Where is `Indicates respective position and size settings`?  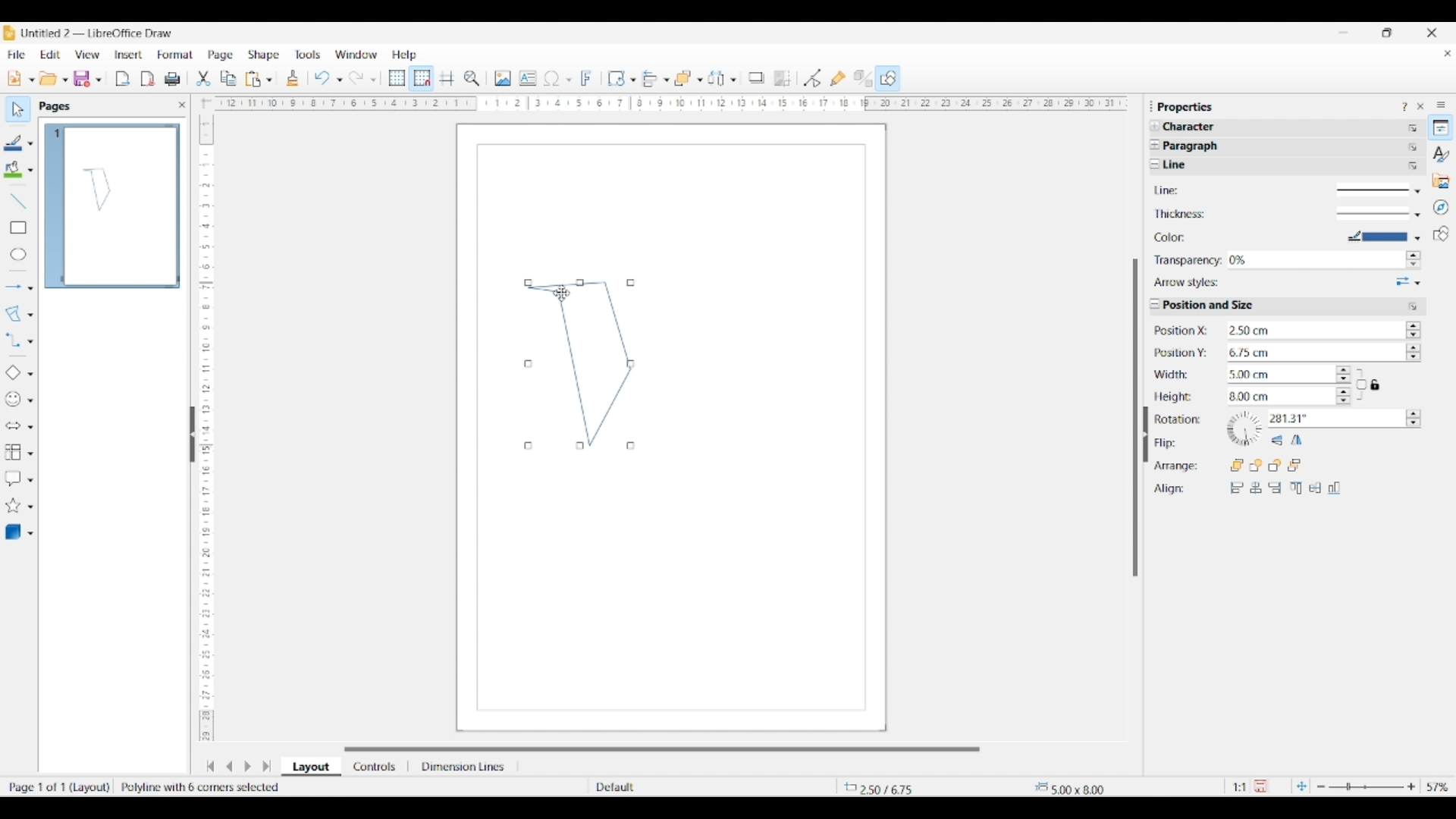 Indicates respective position and size settings is located at coordinates (1183, 409).